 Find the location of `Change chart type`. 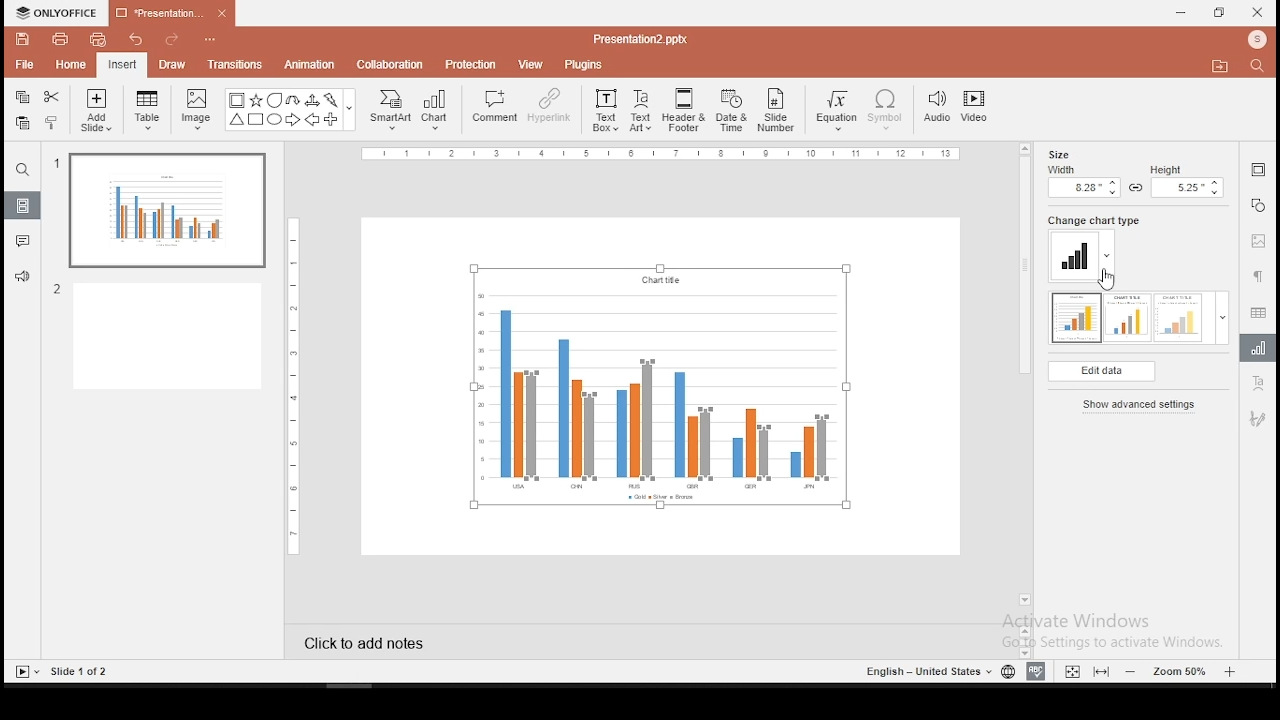

Change chart type is located at coordinates (1090, 220).